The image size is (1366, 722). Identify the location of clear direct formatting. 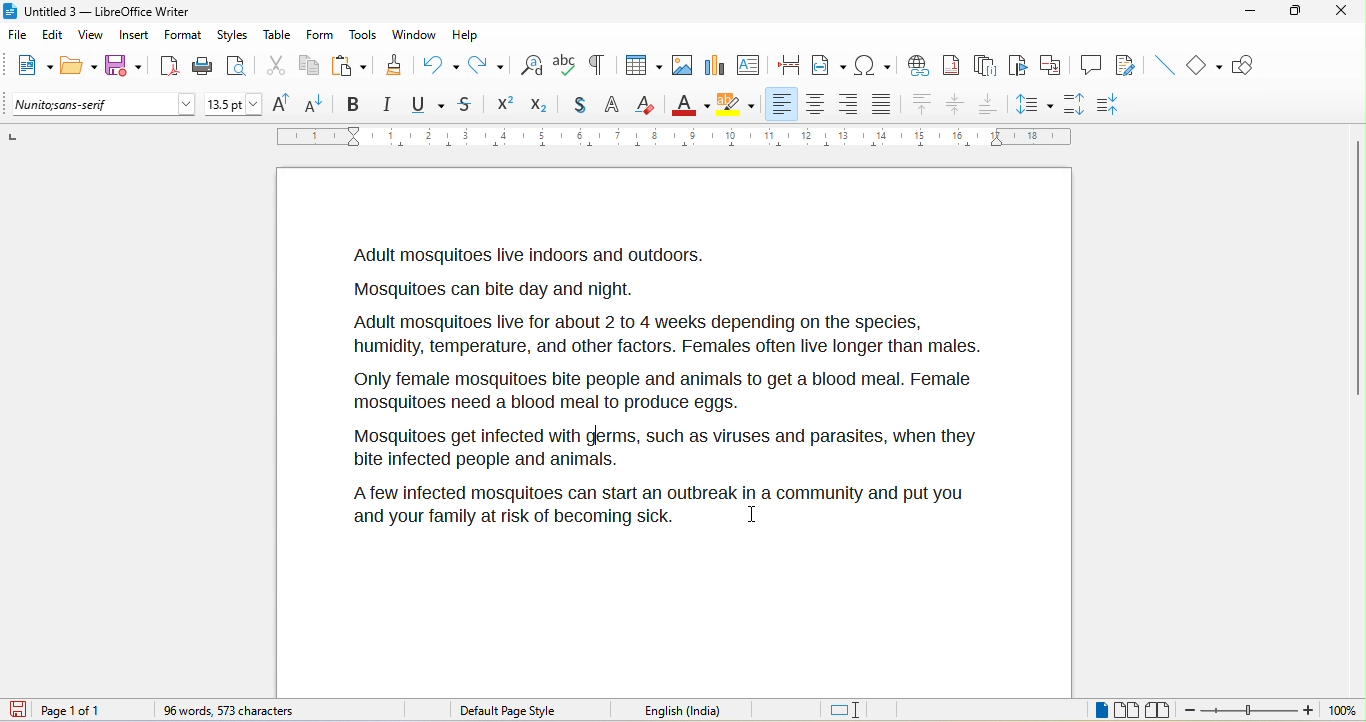
(648, 106).